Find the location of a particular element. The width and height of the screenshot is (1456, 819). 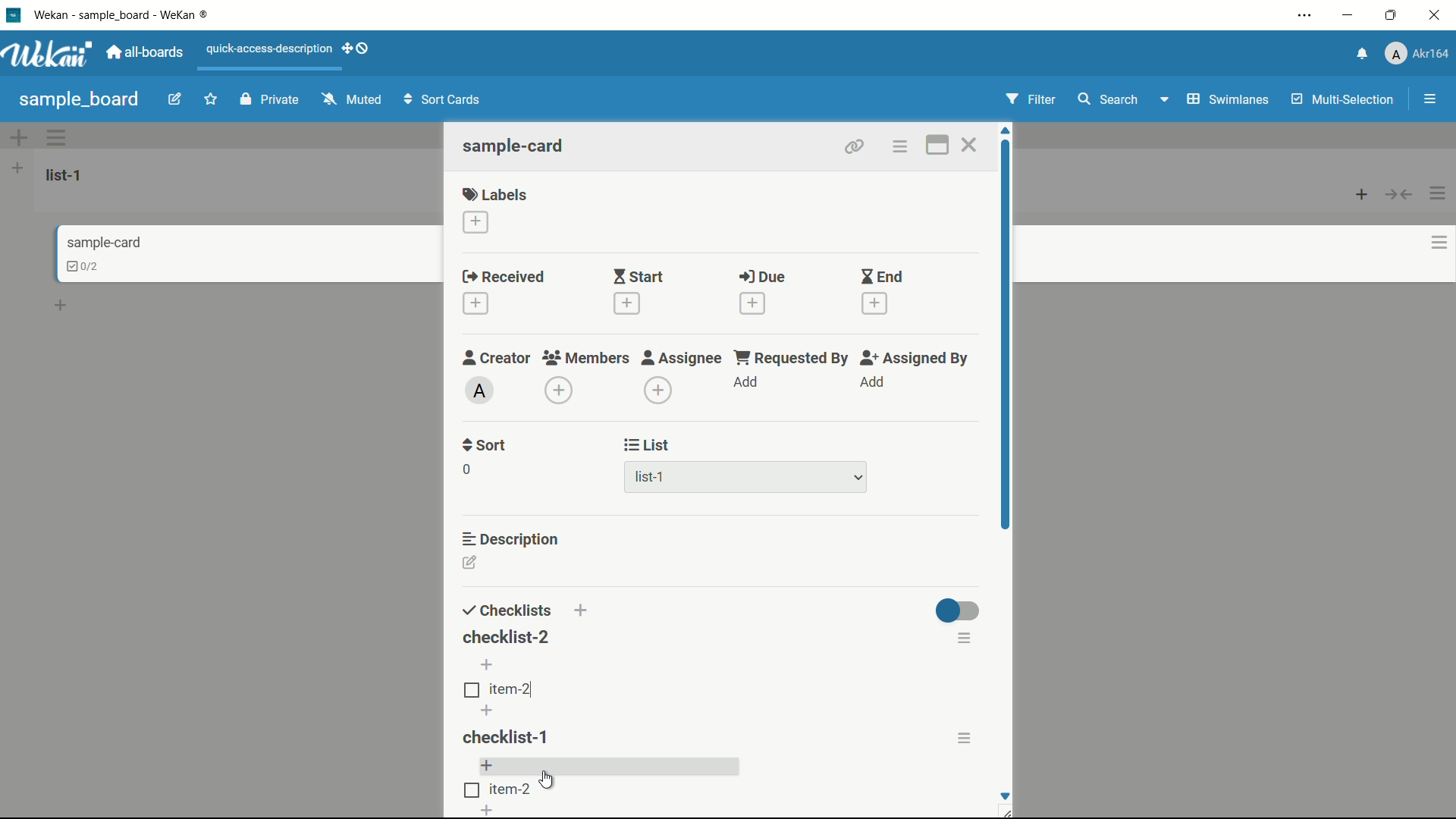

scroll down is located at coordinates (1004, 795).